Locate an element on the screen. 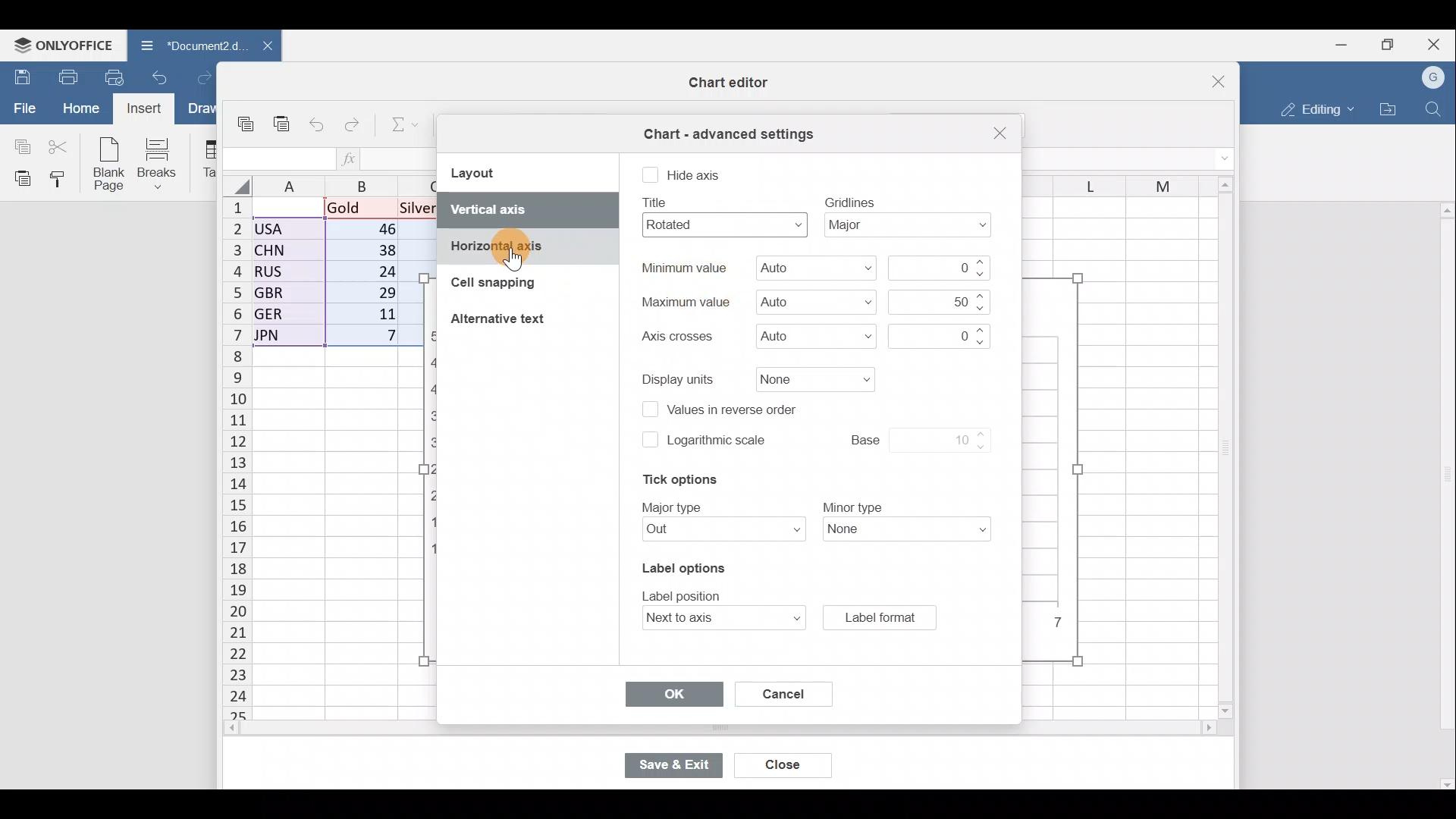 This screenshot has height=819, width=1456. Display units is located at coordinates (814, 380).